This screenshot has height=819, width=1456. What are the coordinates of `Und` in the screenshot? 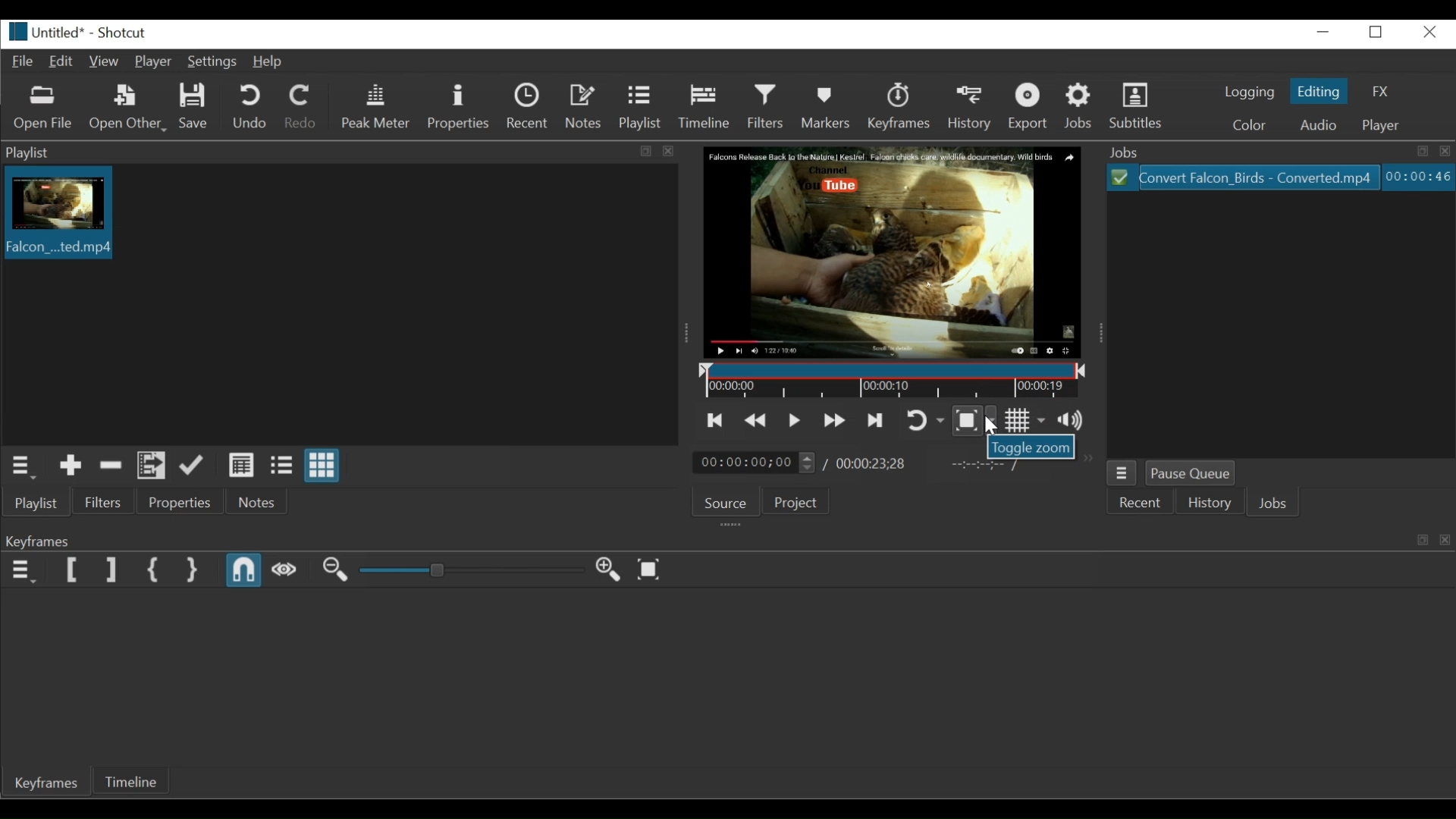 It's located at (249, 107).